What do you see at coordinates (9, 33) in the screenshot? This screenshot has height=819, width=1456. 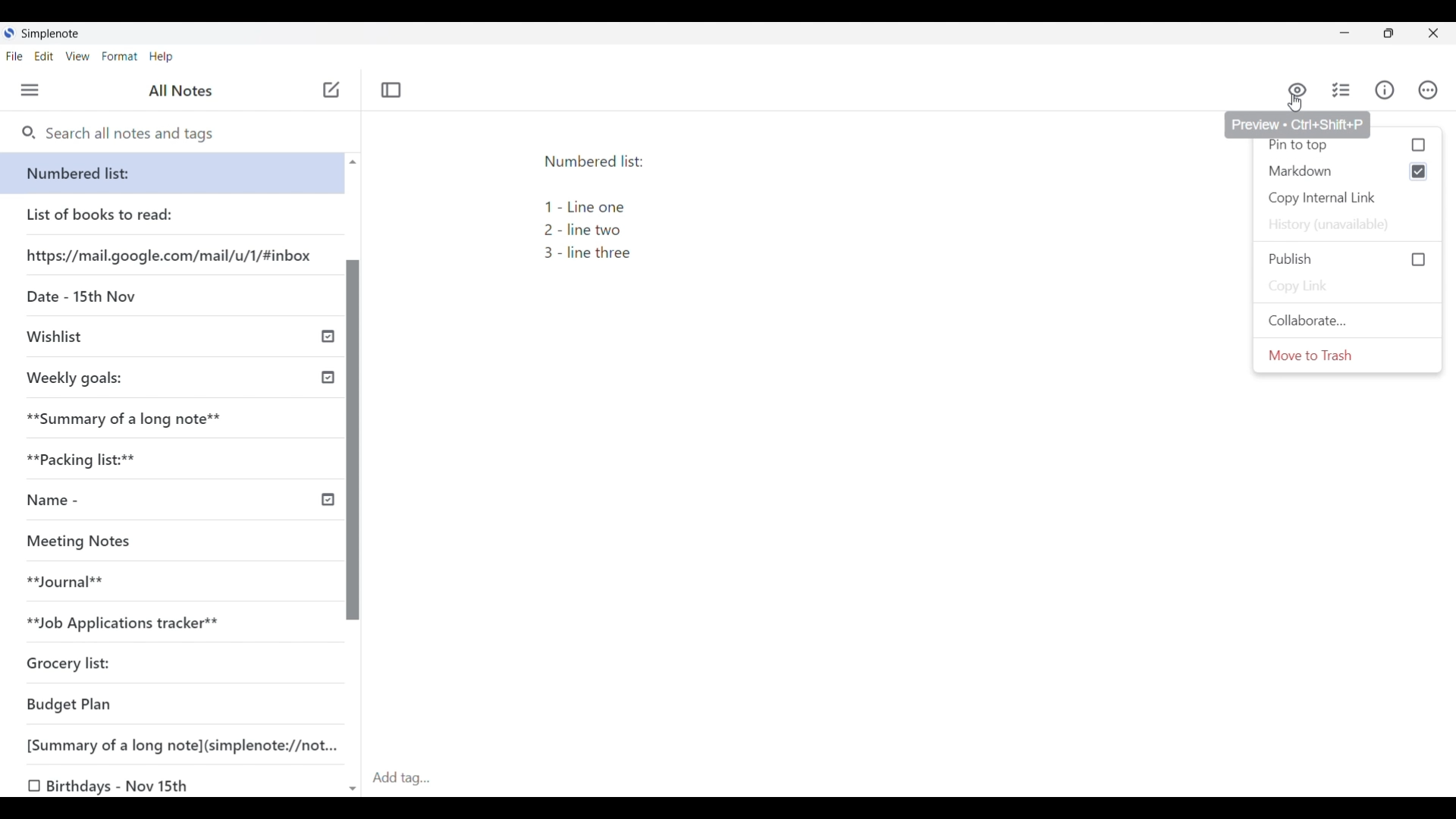 I see `Simplenote logo` at bounding box center [9, 33].